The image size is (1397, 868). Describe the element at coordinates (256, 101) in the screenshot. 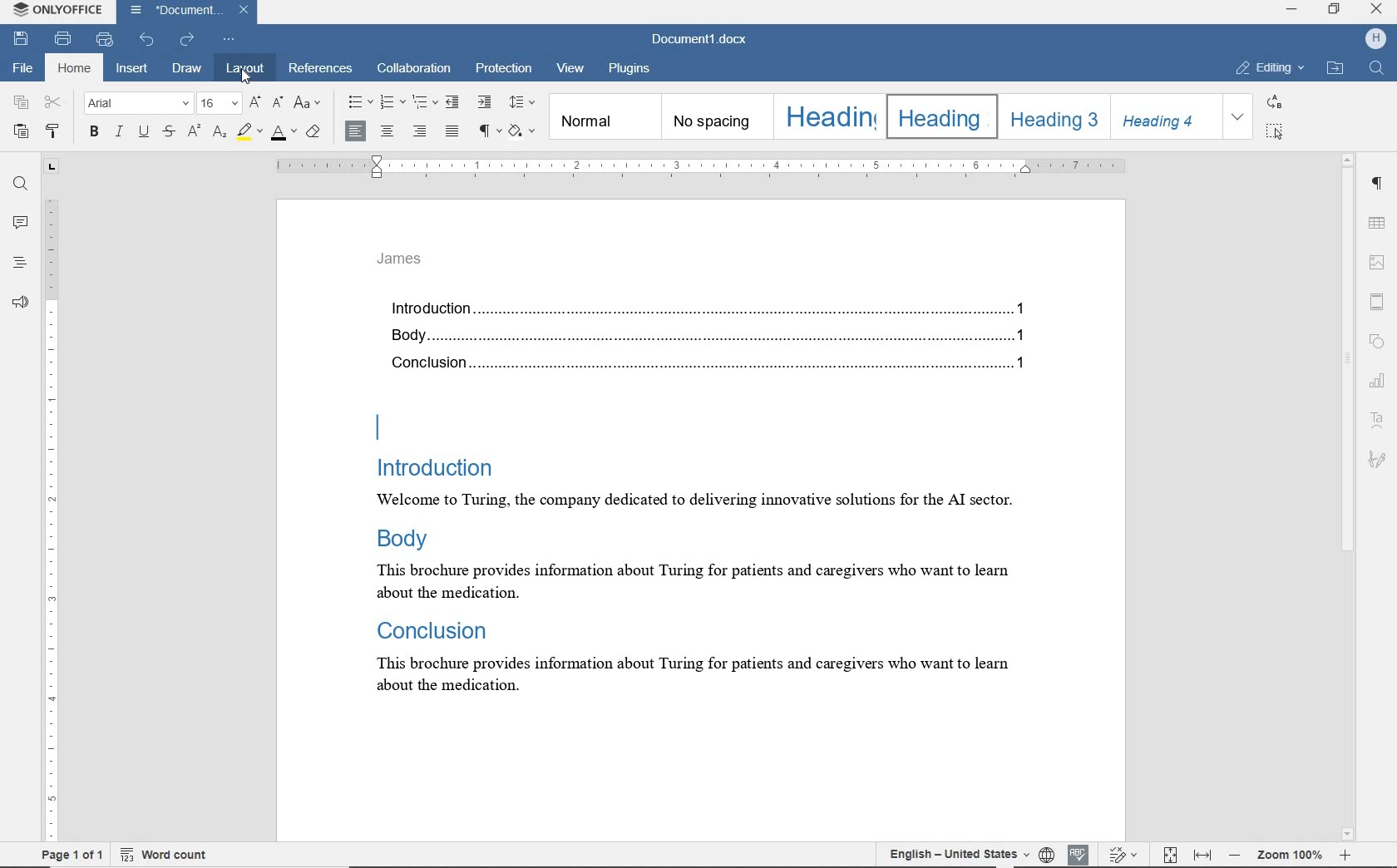

I see `increment font size` at that location.